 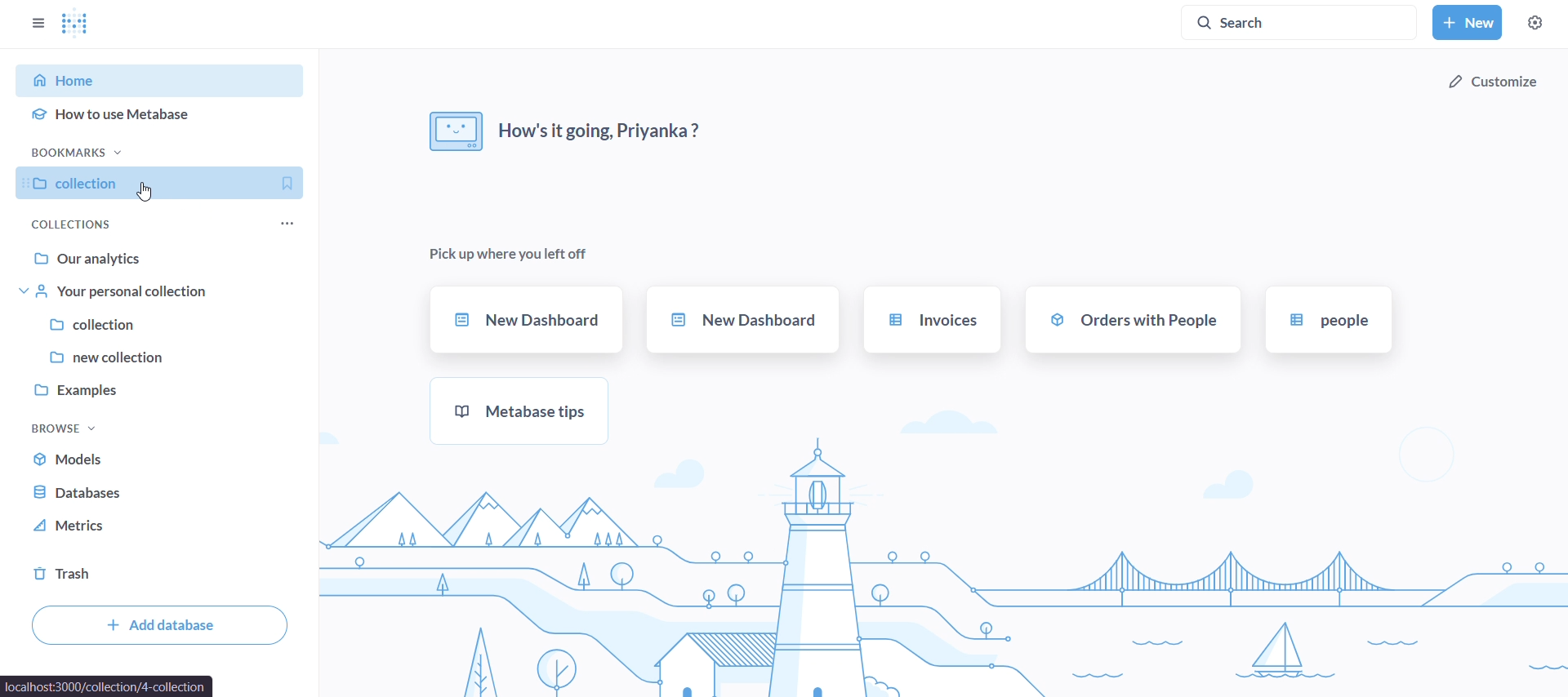 What do you see at coordinates (1329, 322) in the screenshot?
I see `people` at bounding box center [1329, 322].